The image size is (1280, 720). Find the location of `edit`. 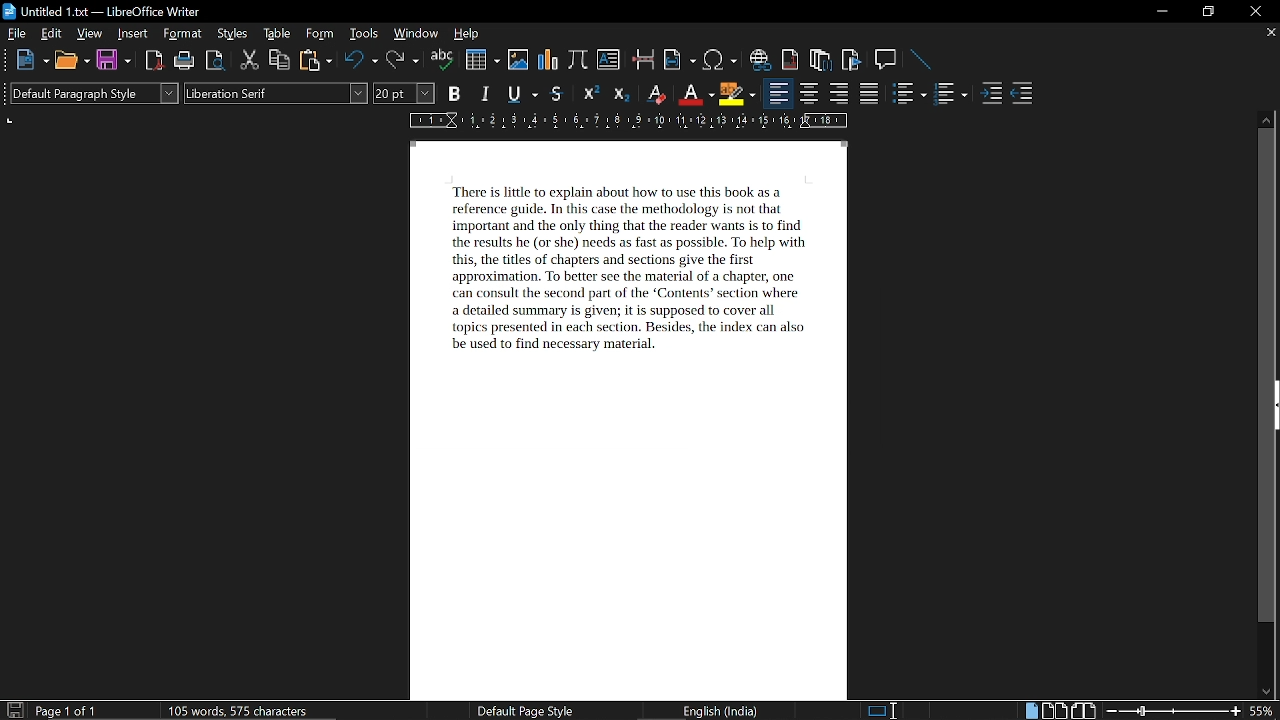

edit is located at coordinates (52, 34).